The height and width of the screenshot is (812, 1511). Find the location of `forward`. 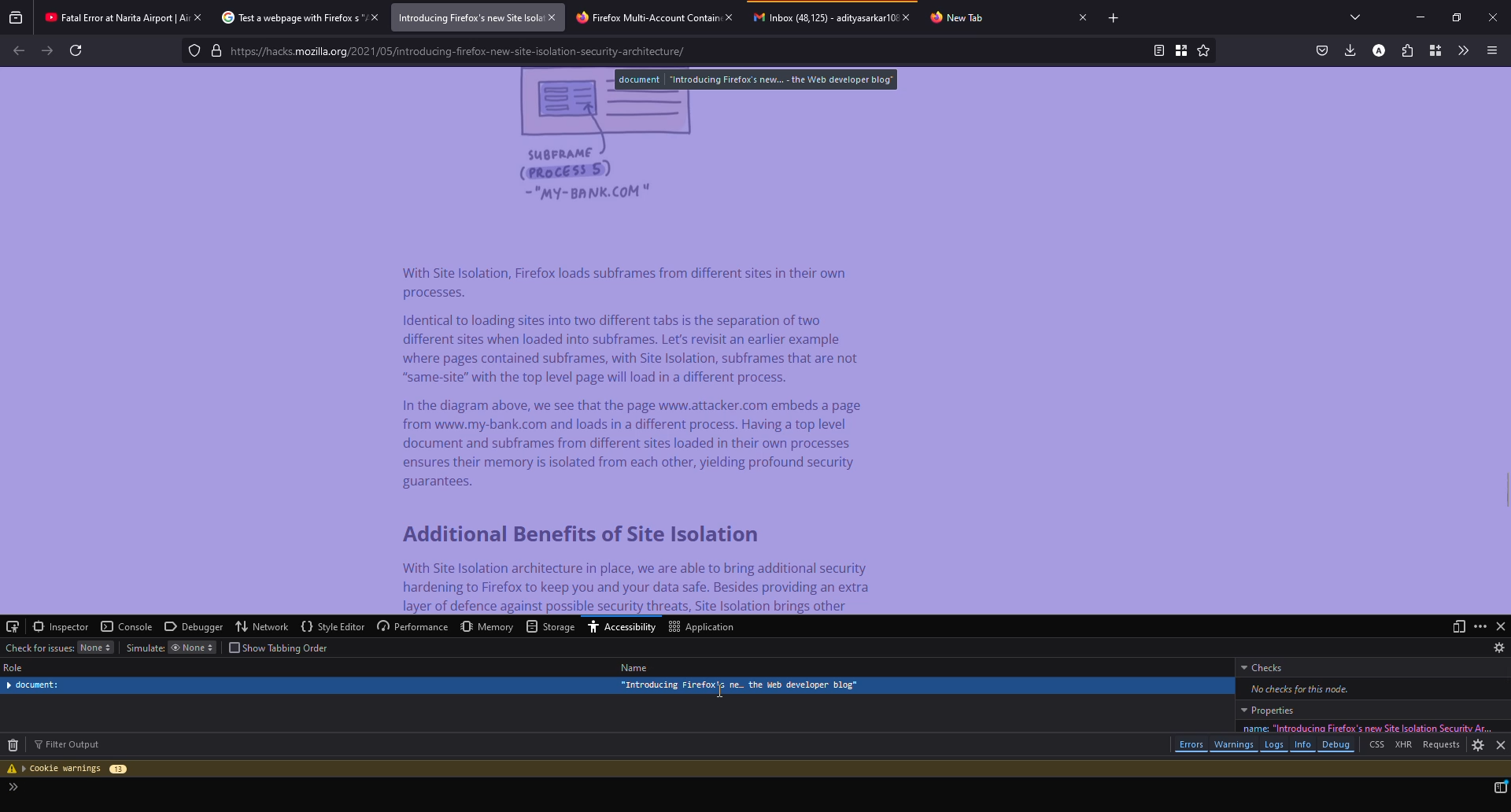

forward is located at coordinates (47, 50).